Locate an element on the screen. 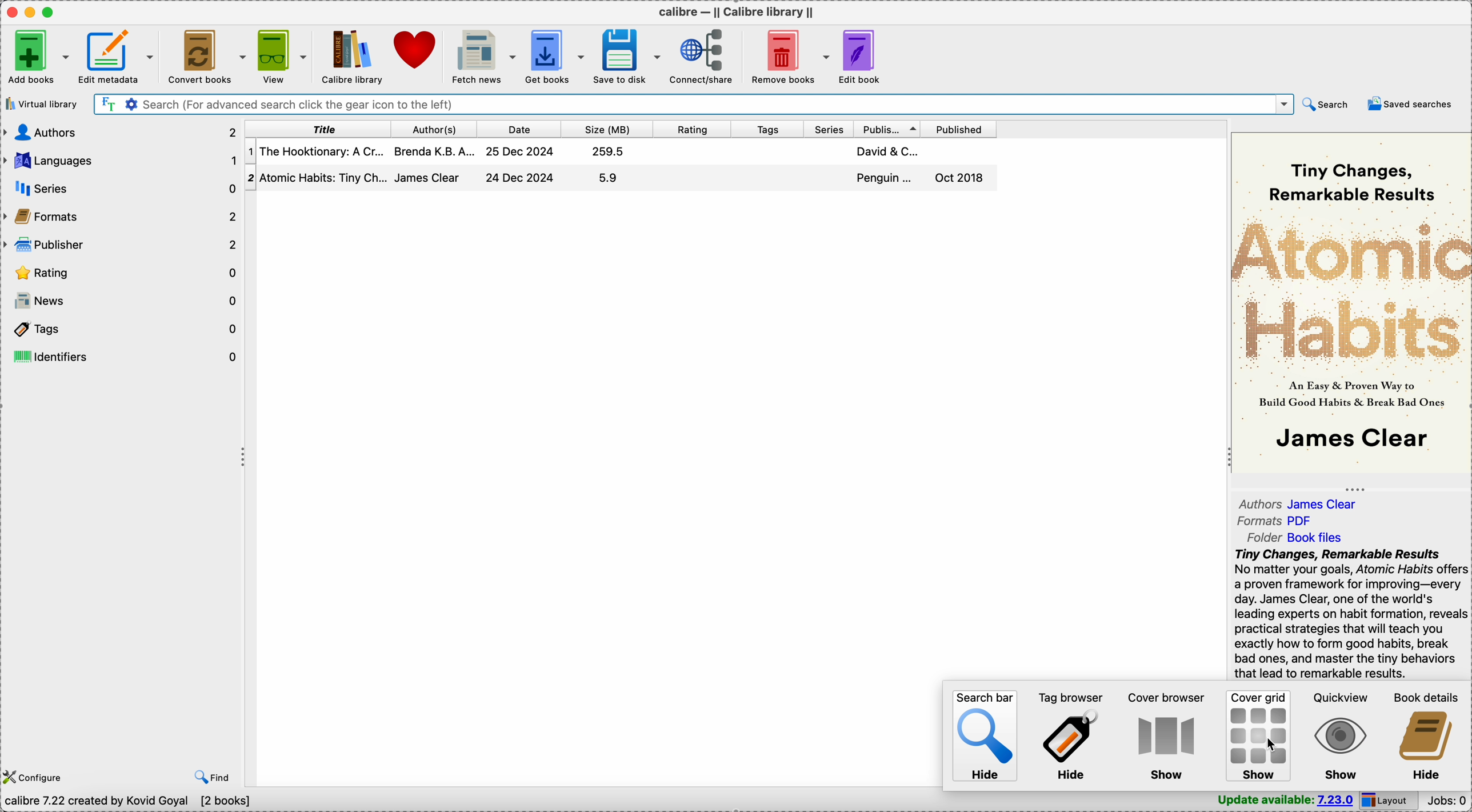 This screenshot has width=1472, height=812. Tiny Changes, Remarkable Results

No matter your goals, Atomic Habits offers
a proven framework for improving—every
day. James Clear, one of the world's
leading experts on habit formation, reveals
practical strategies that will teach you
exactly how to form good habits, break
bad ones, and master the tiny behaviors
that lead to remarkable results.

If you're having trouble changing your
habits, the problem isn't you. The problem
is your system. Bad habits repeat
themselves again and again not because
you don't want to change, but because
you have the wrong system for change.
You do not rise to the level of your goals. is located at coordinates (1352, 614).